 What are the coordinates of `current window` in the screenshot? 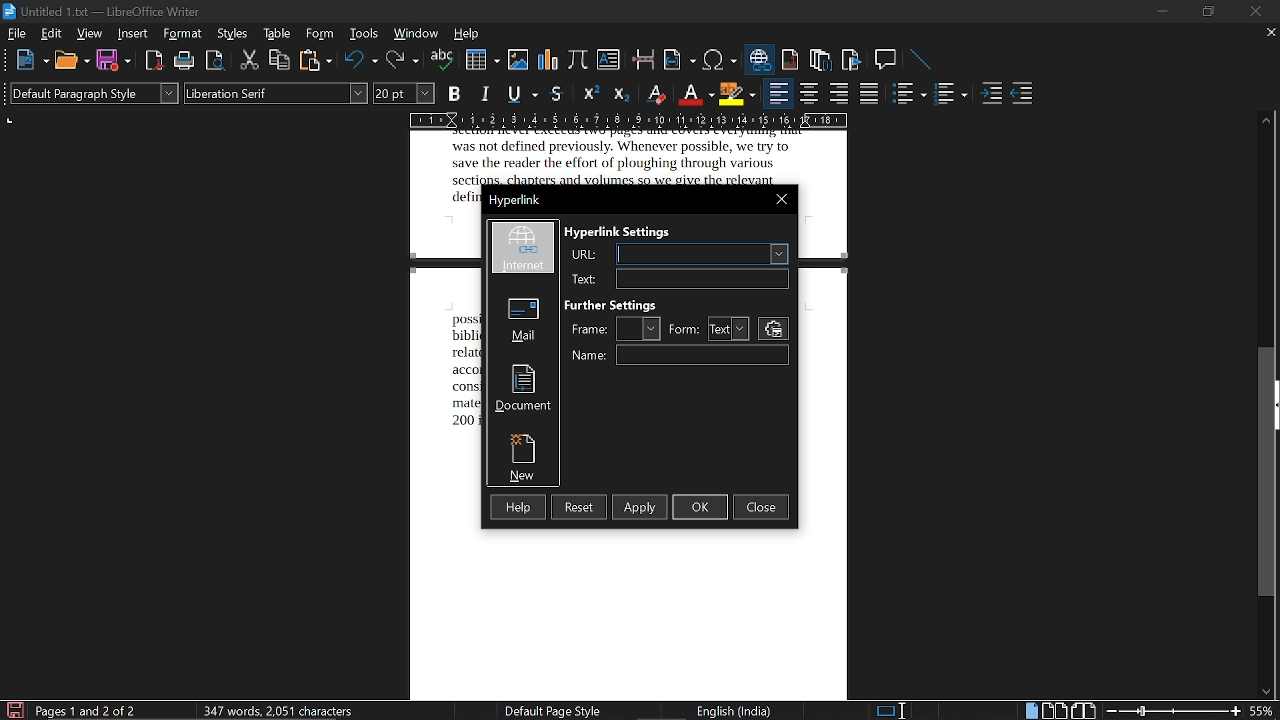 It's located at (516, 200).